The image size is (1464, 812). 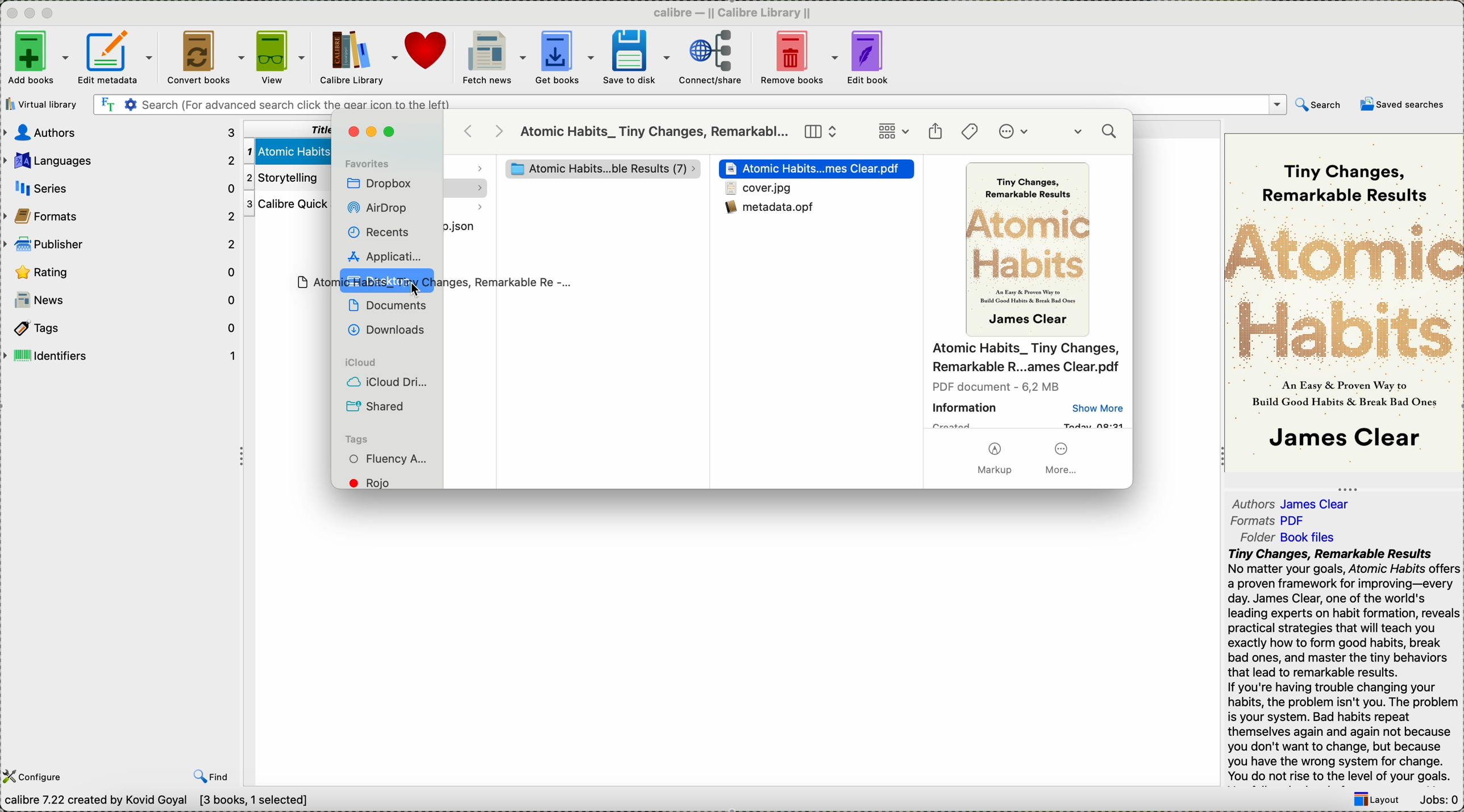 What do you see at coordinates (384, 328) in the screenshot?
I see `Downloads` at bounding box center [384, 328].